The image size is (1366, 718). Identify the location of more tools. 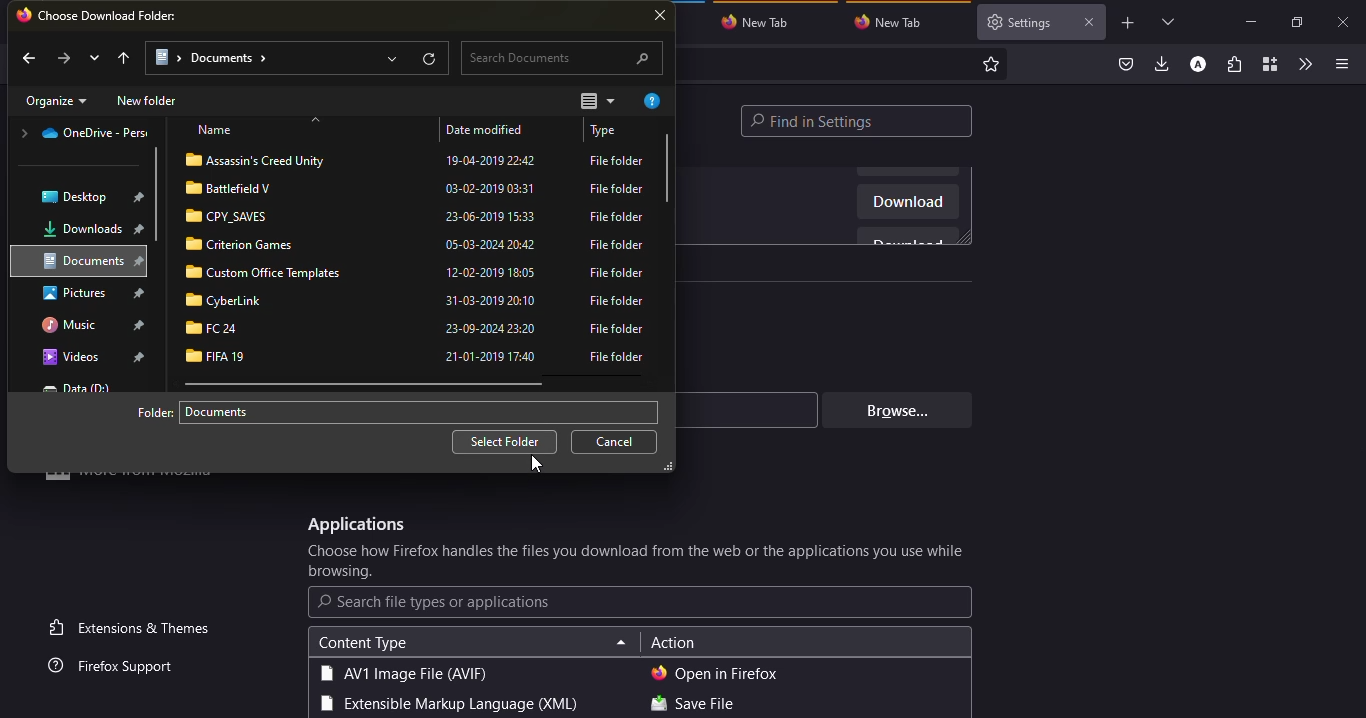
(1304, 64).